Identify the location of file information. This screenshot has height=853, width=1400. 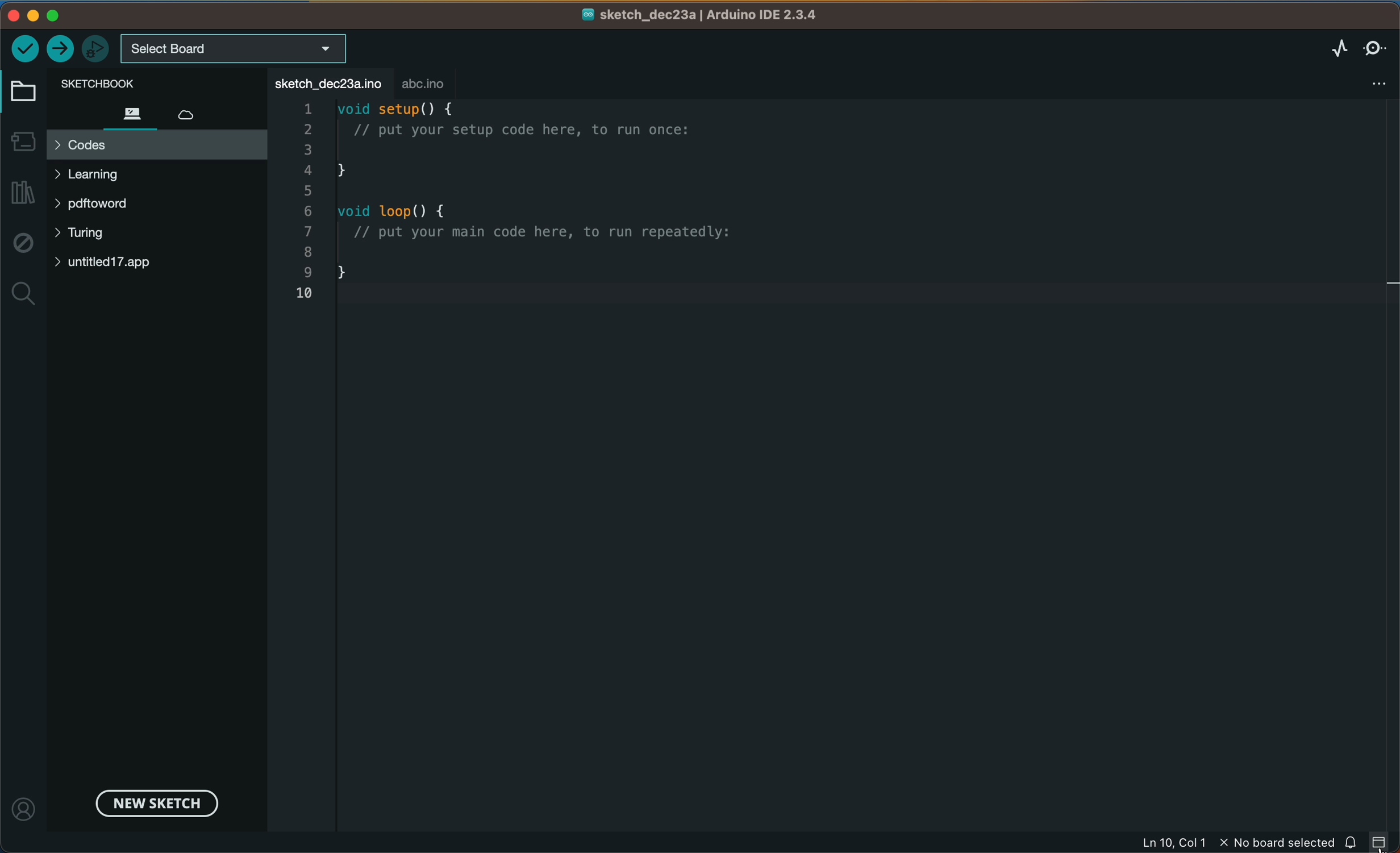
(1233, 843).